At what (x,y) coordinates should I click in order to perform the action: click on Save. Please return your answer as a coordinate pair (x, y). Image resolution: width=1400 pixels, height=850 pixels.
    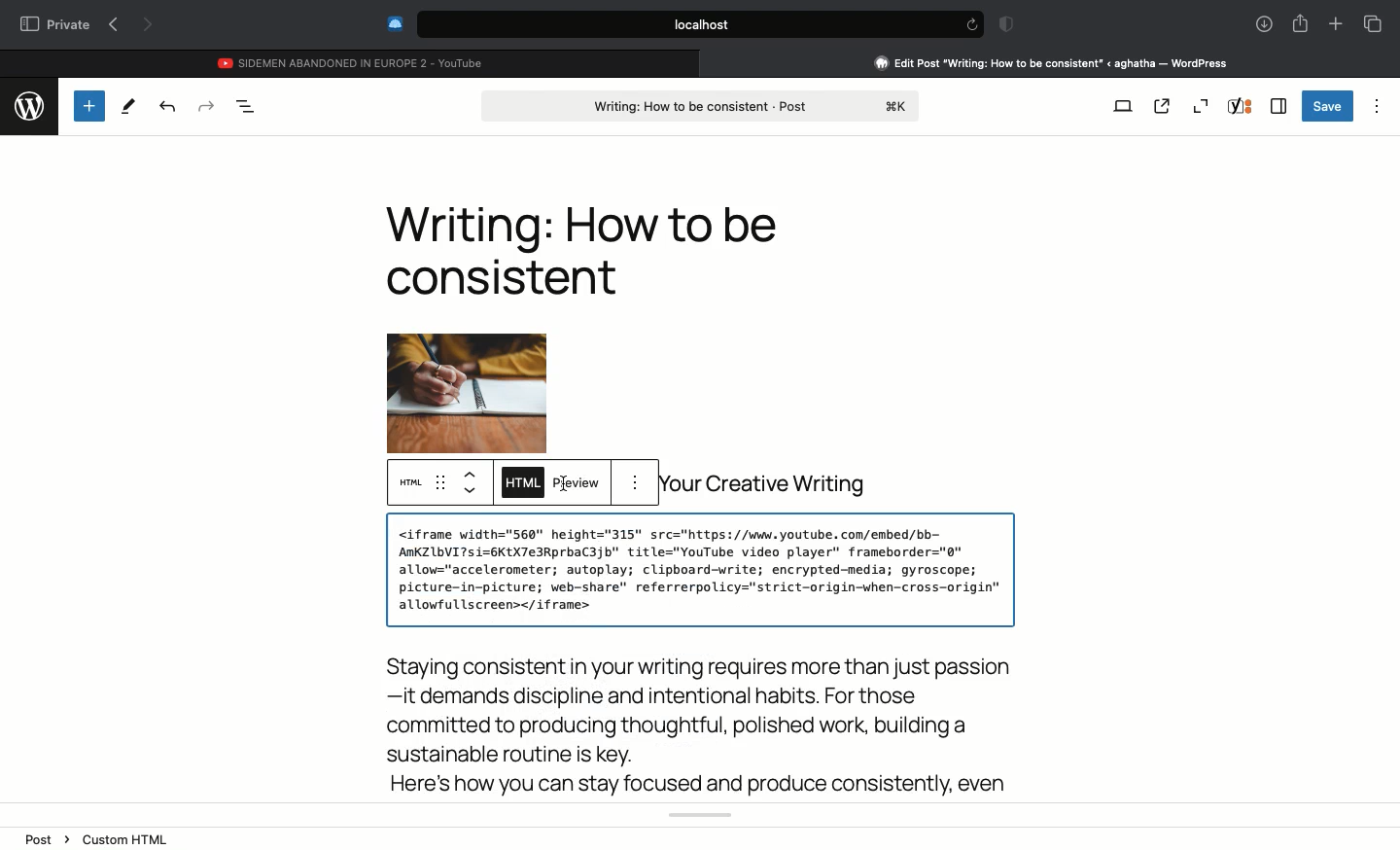
    Looking at the image, I should click on (1328, 106).